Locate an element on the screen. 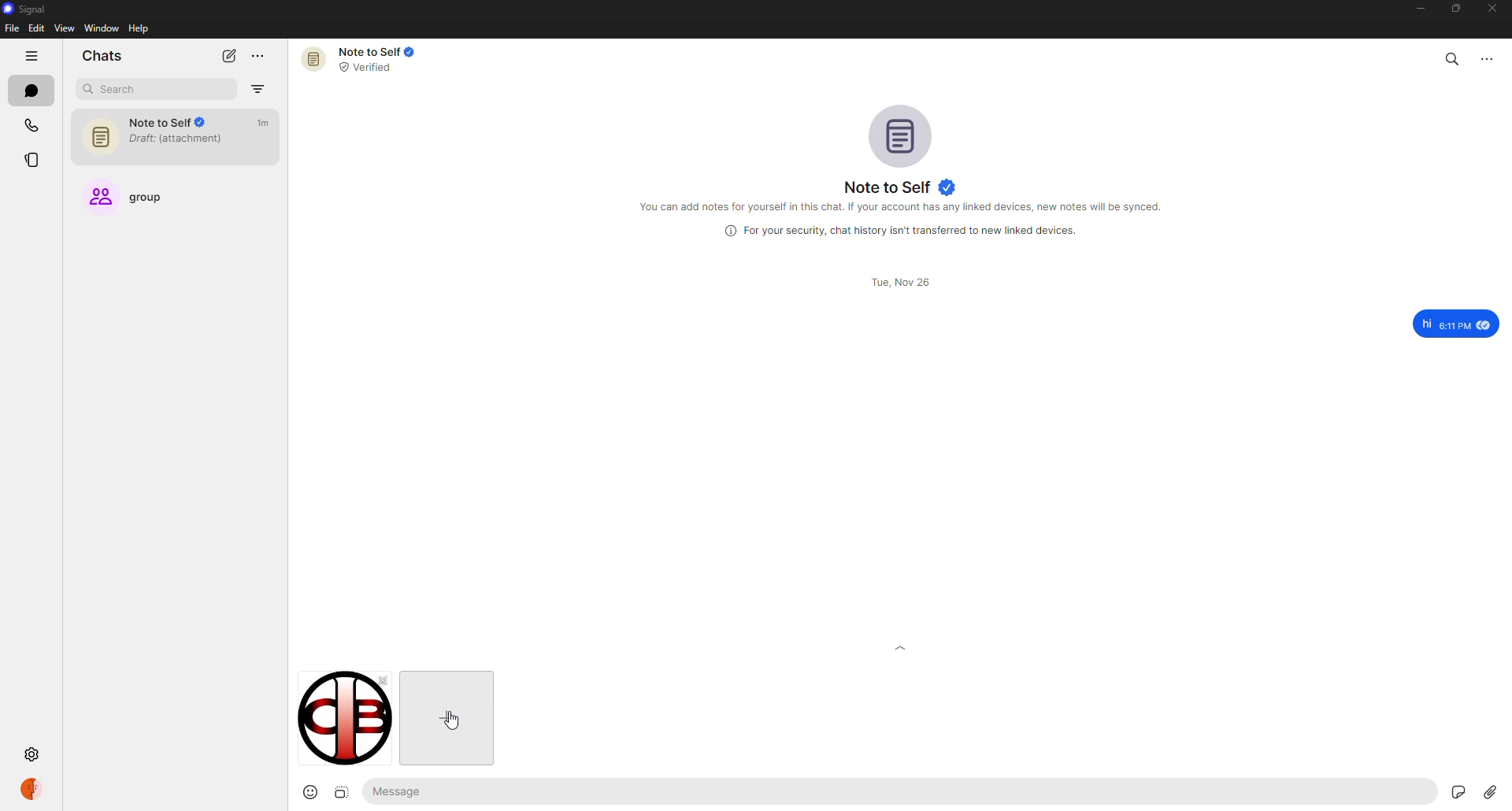  expand is located at coordinates (901, 648).